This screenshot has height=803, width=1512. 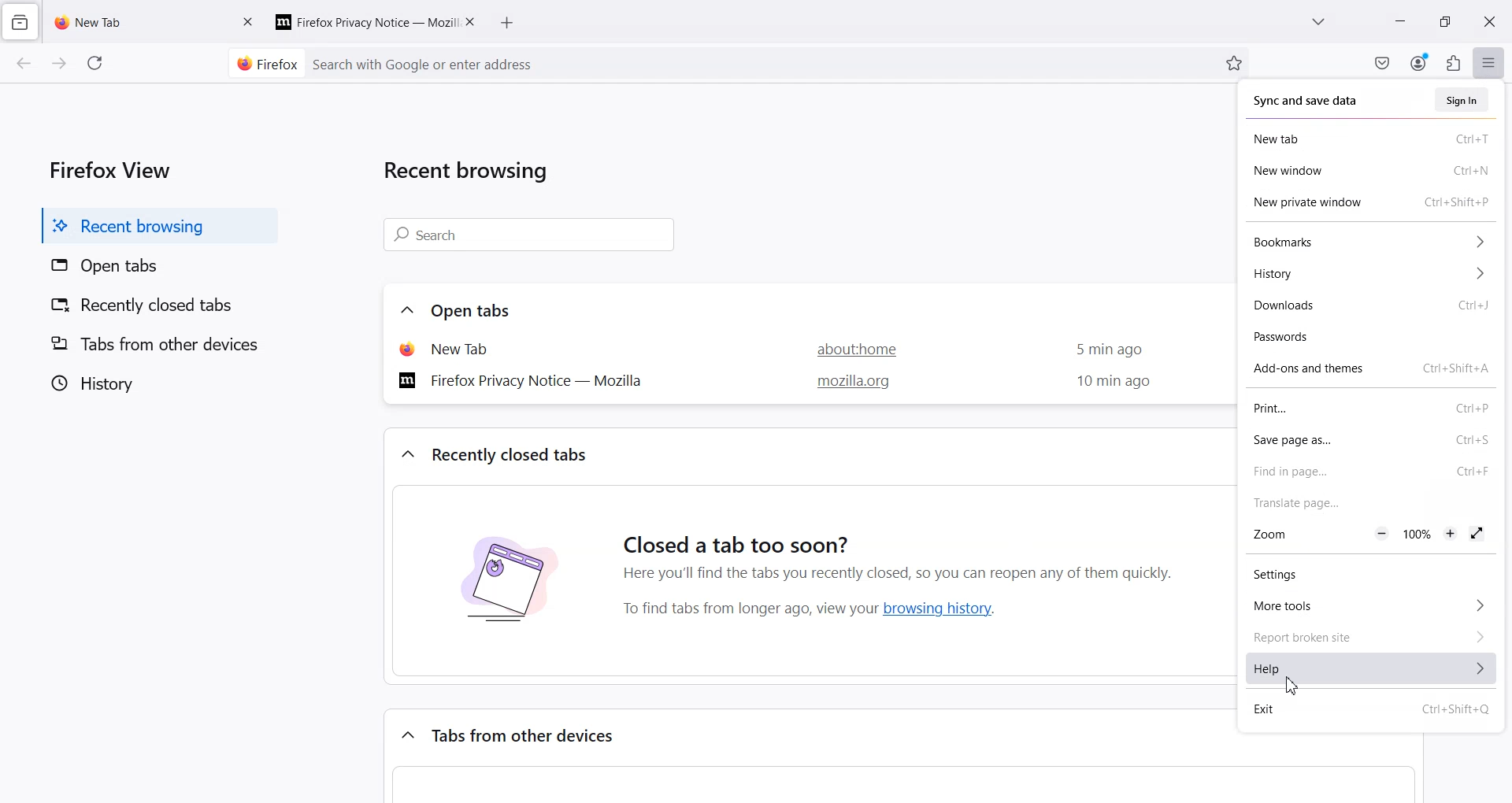 I want to click on Report broken site, so click(x=1369, y=636).